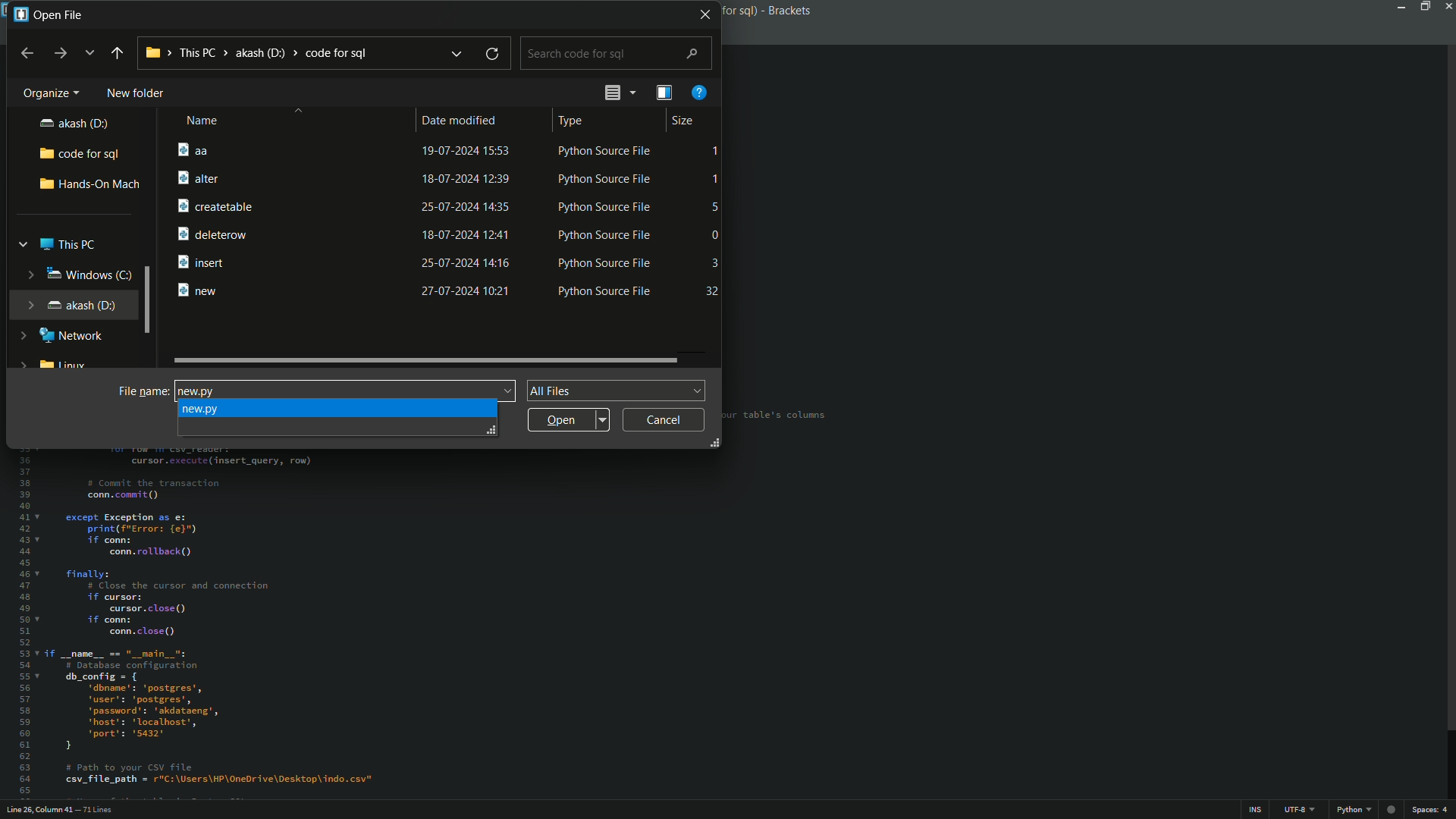  Describe the element at coordinates (36, 811) in the screenshot. I see `cursor position` at that location.